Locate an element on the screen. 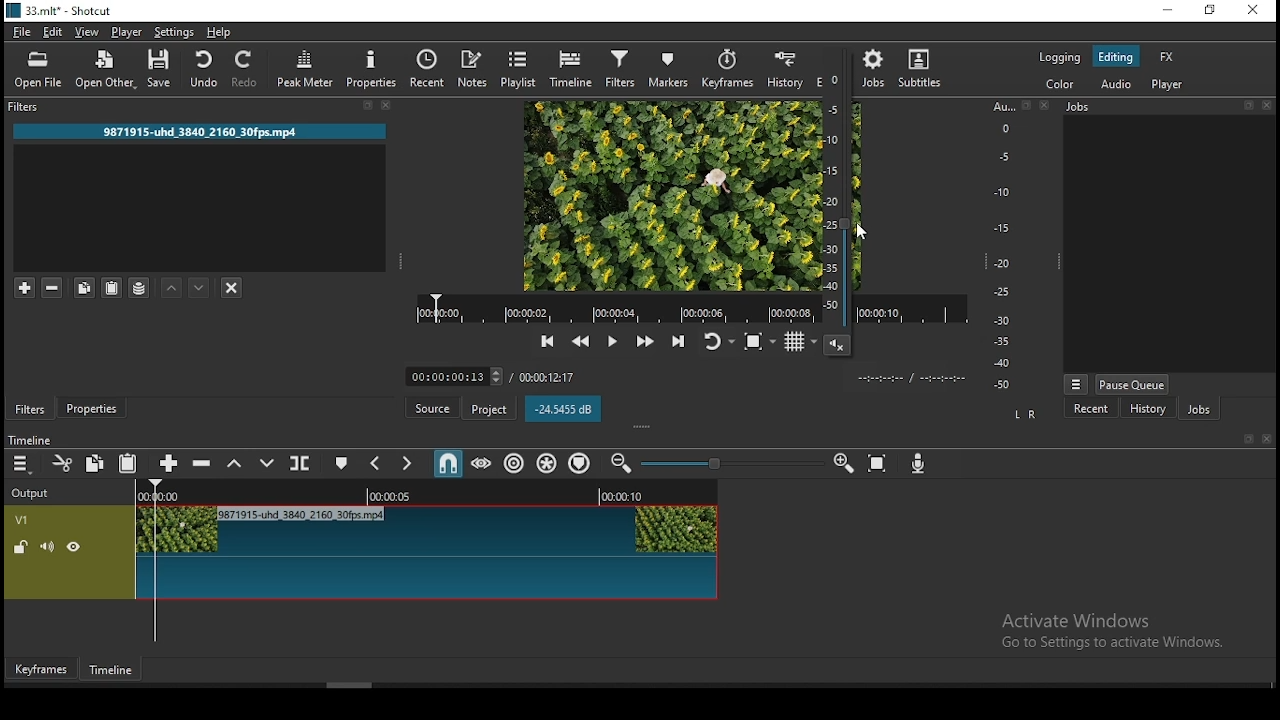 The height and width of the screenshot is (720, 1280). paste is located at coordinates (127, 462).